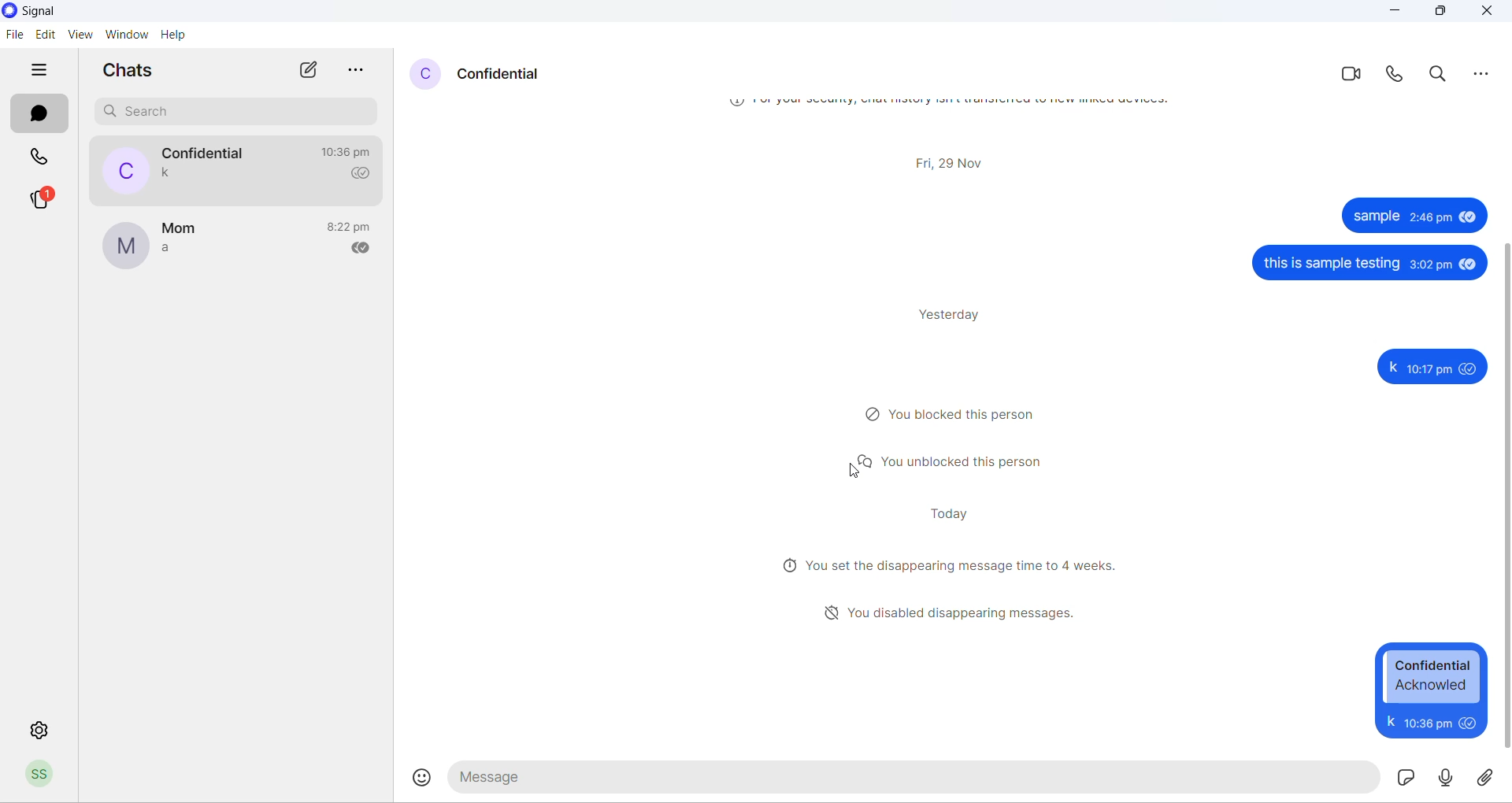 This screenshot has width=1512, height=803. I want to click on voice call, so click(1399, 71).